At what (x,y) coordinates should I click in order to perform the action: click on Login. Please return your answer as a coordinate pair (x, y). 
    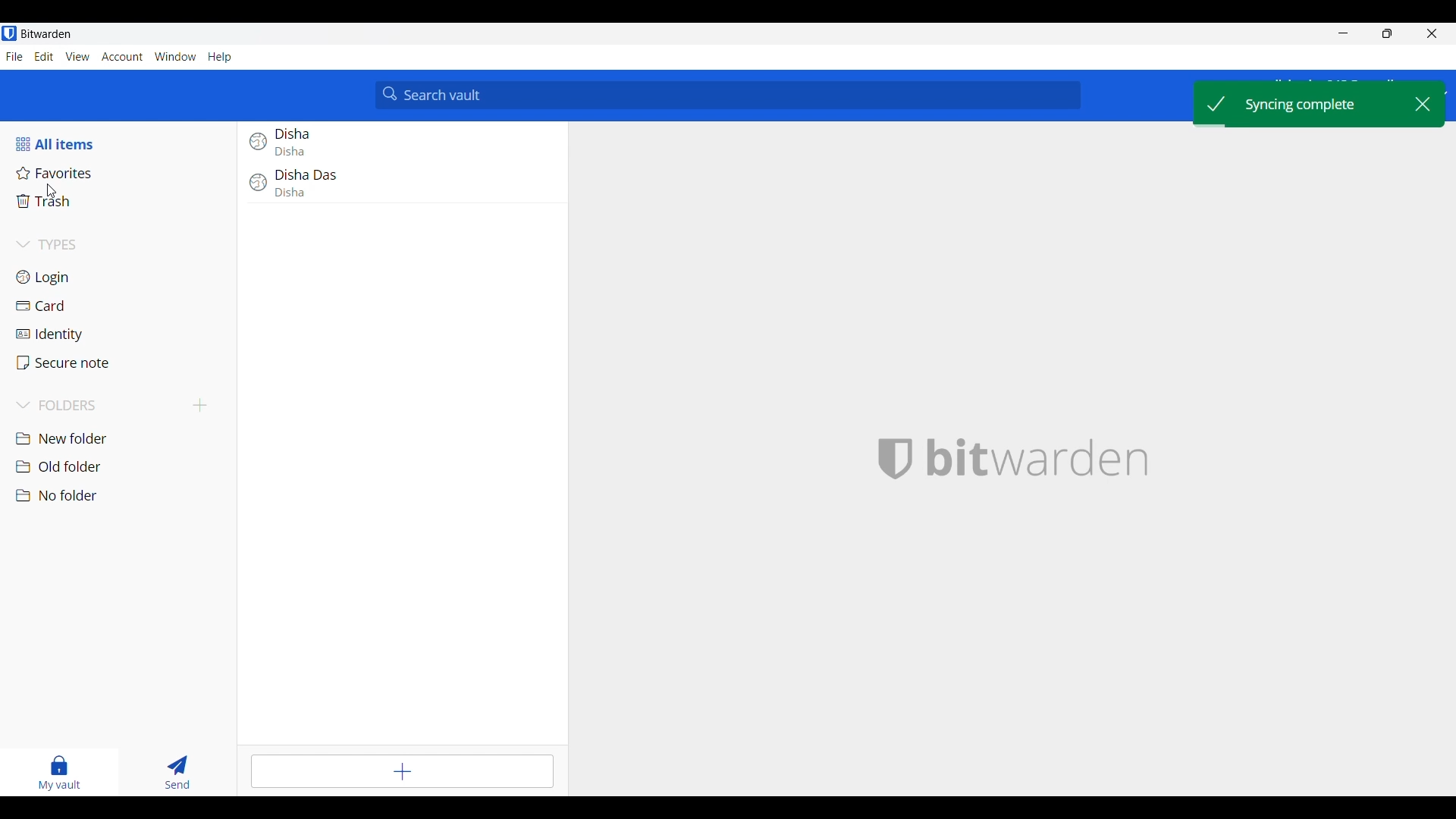
    Looking at the image, I should click on (120, 278).